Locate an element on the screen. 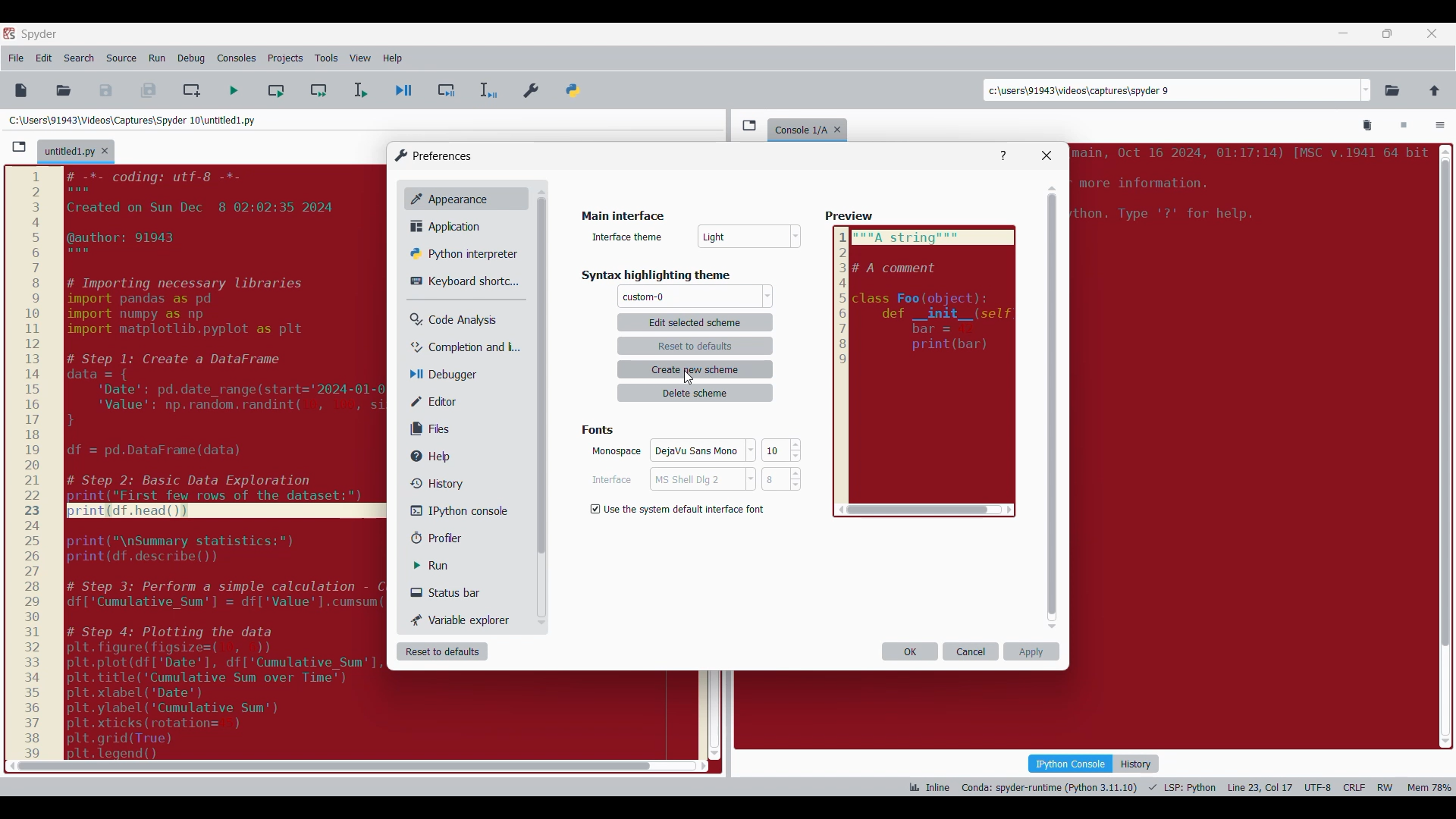 Image resolution: width=1456 pixels, height=819 pixels. Source menu is located at coordinates (121, 58).